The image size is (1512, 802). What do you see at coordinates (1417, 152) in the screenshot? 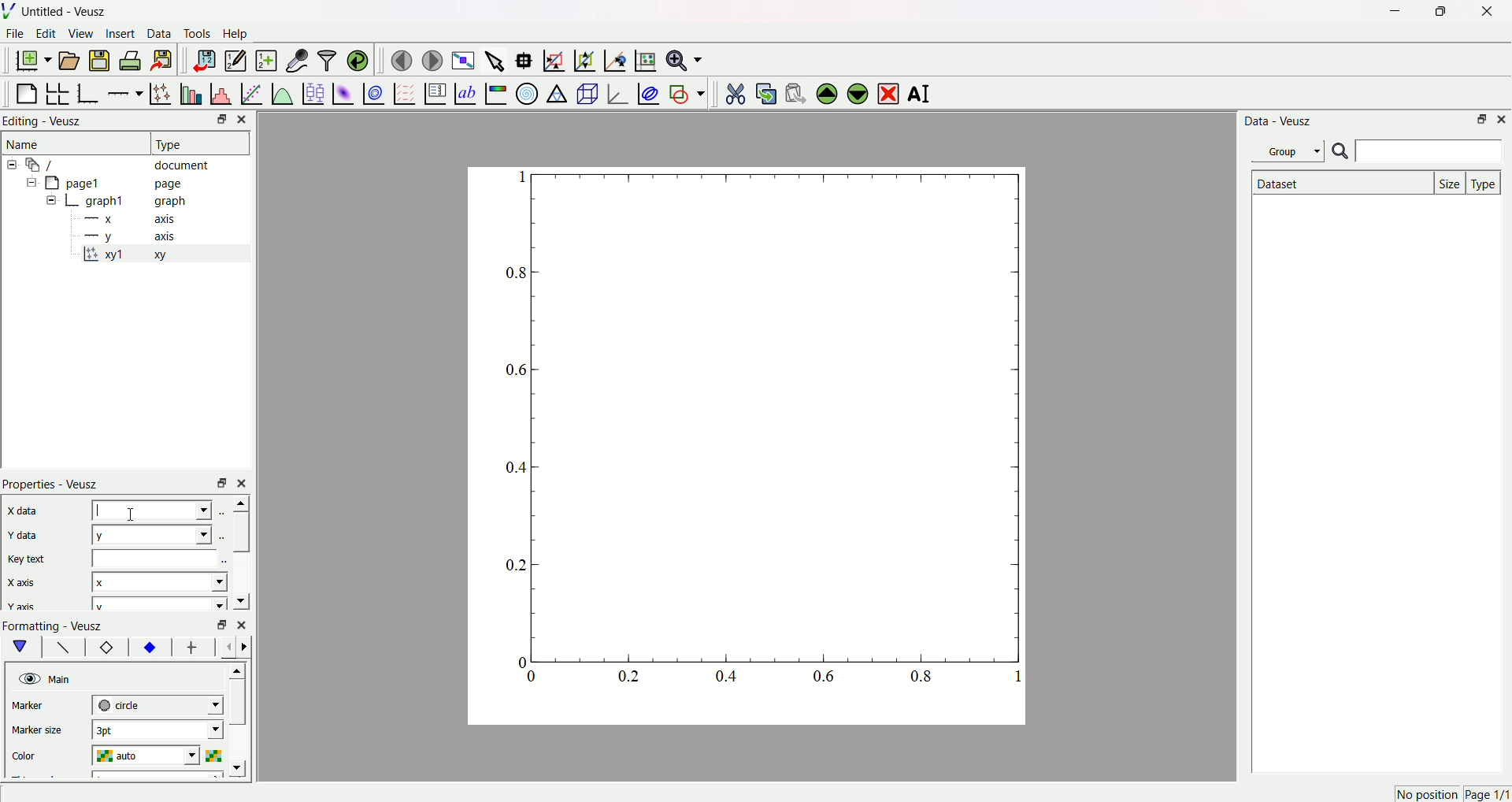
I see `Searchbar` at bounding box center [1417, 152].